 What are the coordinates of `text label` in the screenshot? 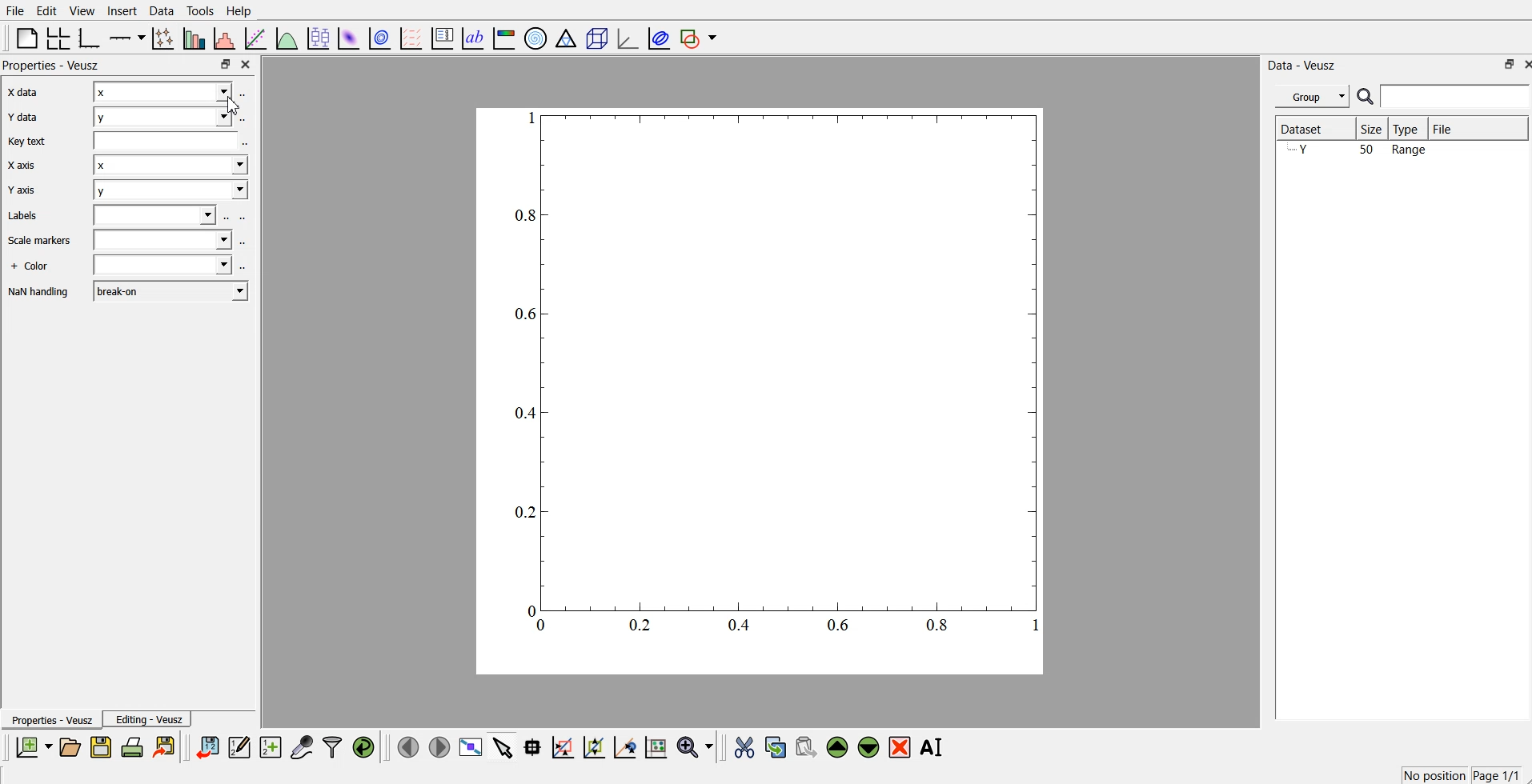 It's located at (473, 37).